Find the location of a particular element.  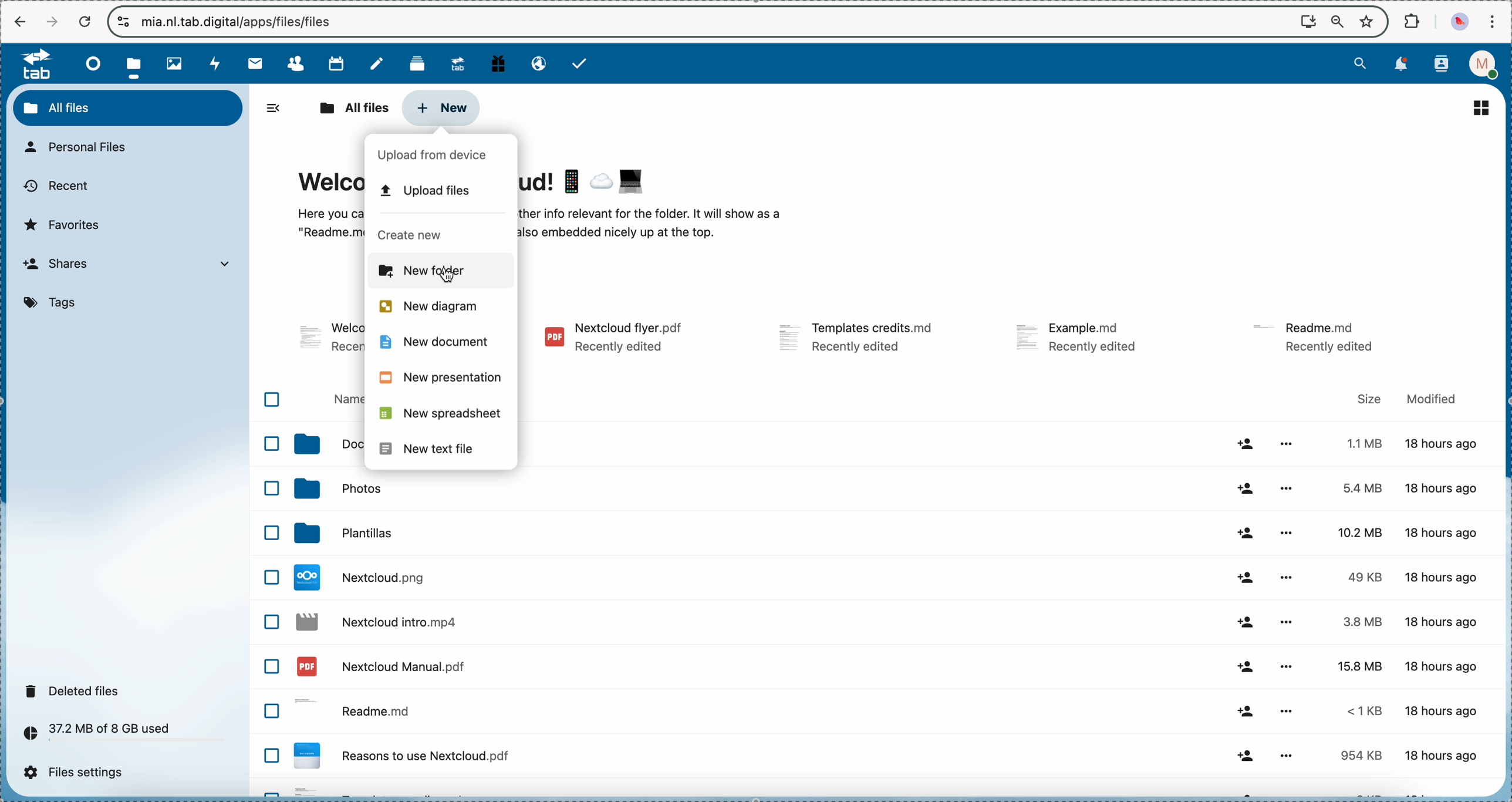

37.2 MB of 8 GB is located at coordinates (93, 735).